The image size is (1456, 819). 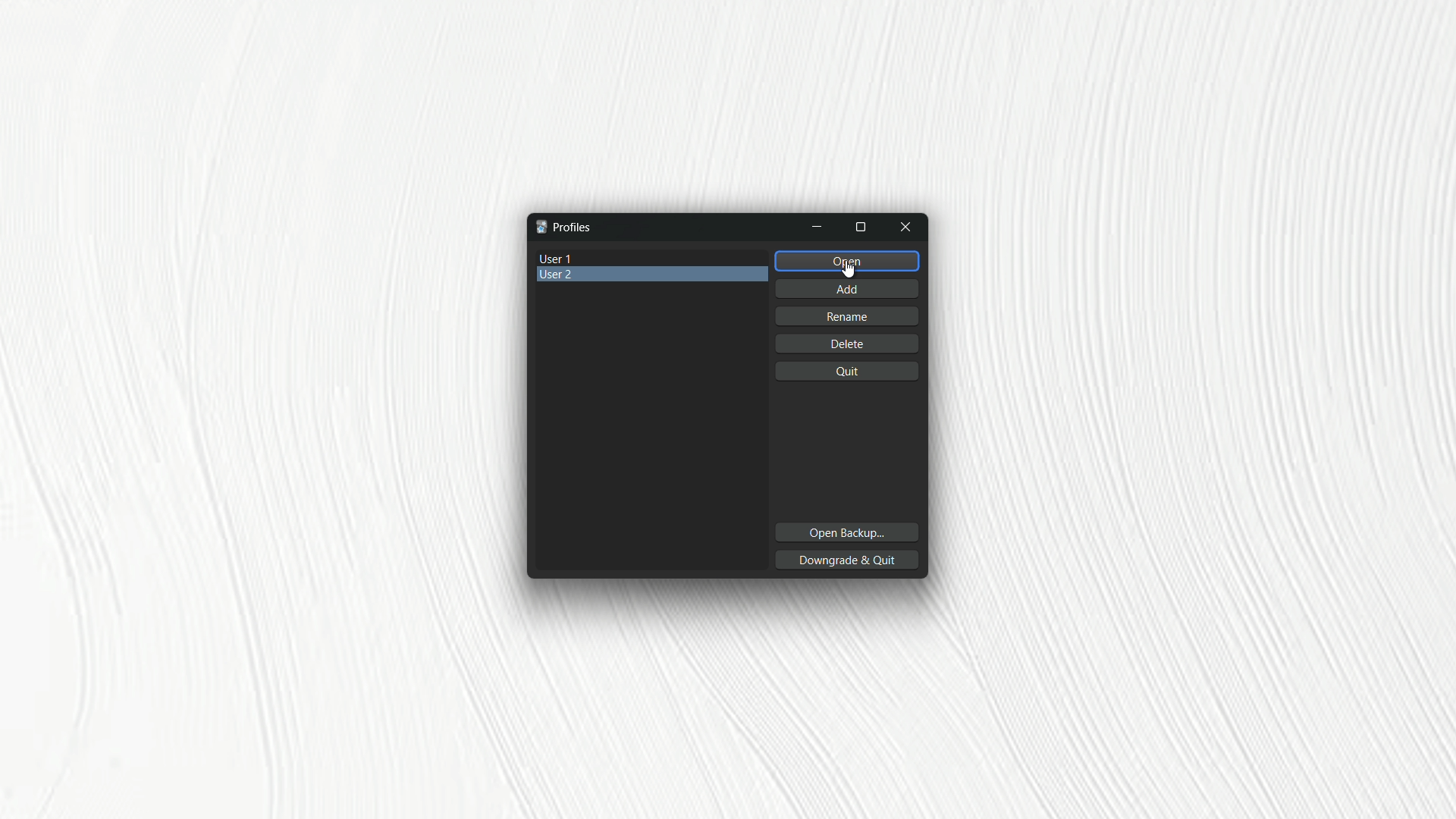 I want to click on User 2 , so click(x=652, y=278).